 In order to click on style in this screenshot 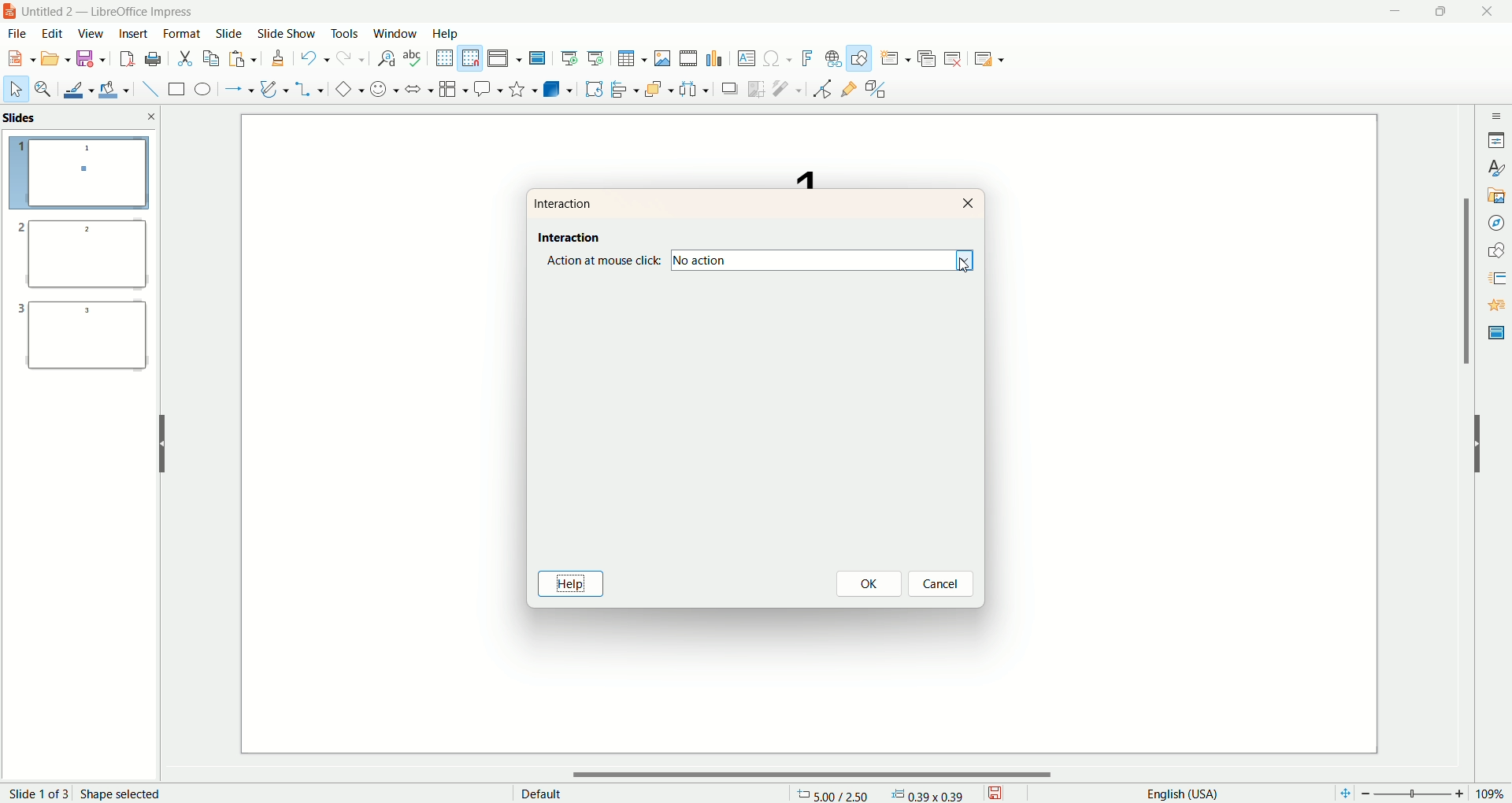, I will do `click(1495, 168)`.